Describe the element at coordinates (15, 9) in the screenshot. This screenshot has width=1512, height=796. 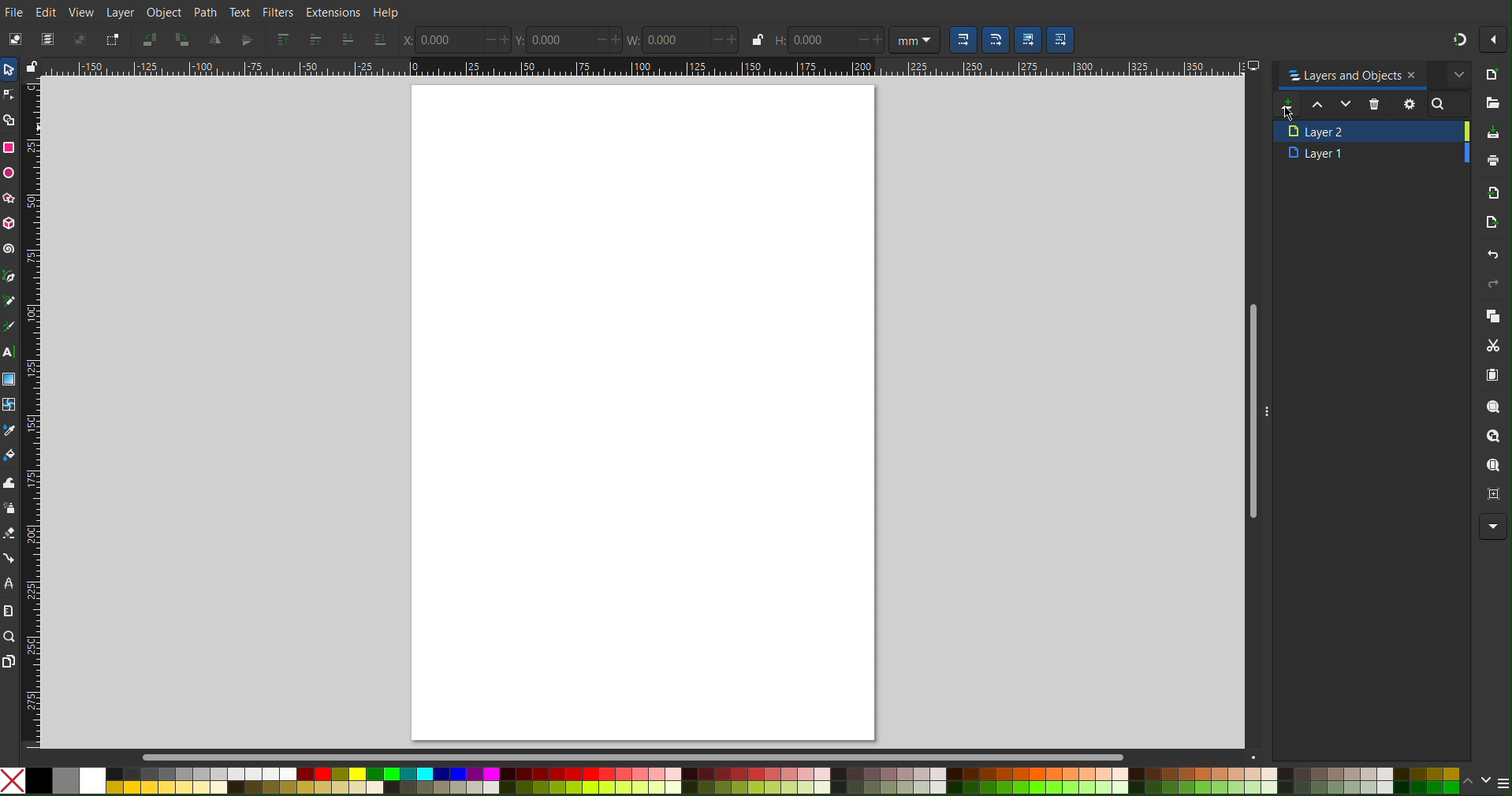
I see `File` at that location.